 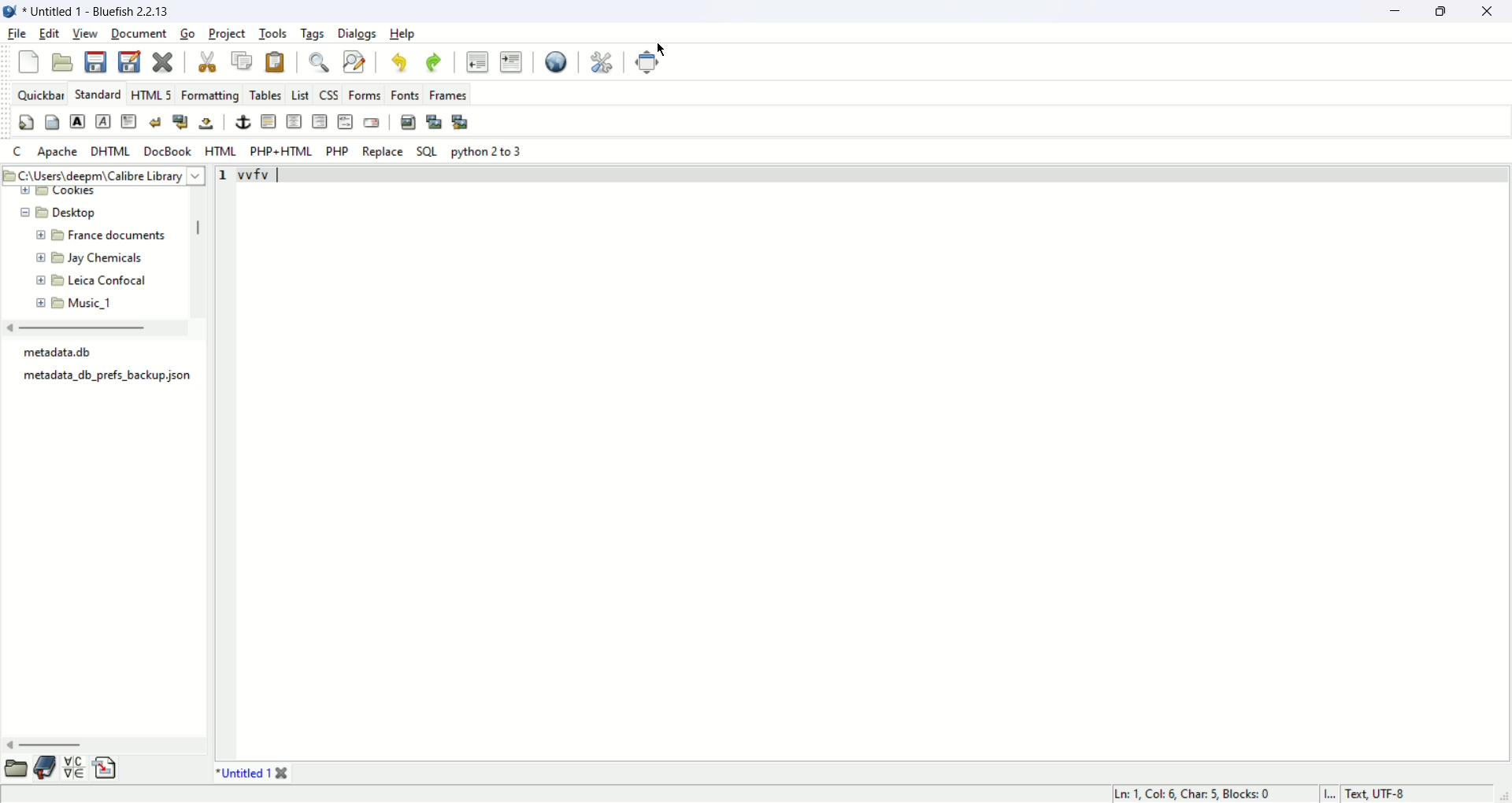 I want to click on forms, so click(x=368, y=94).